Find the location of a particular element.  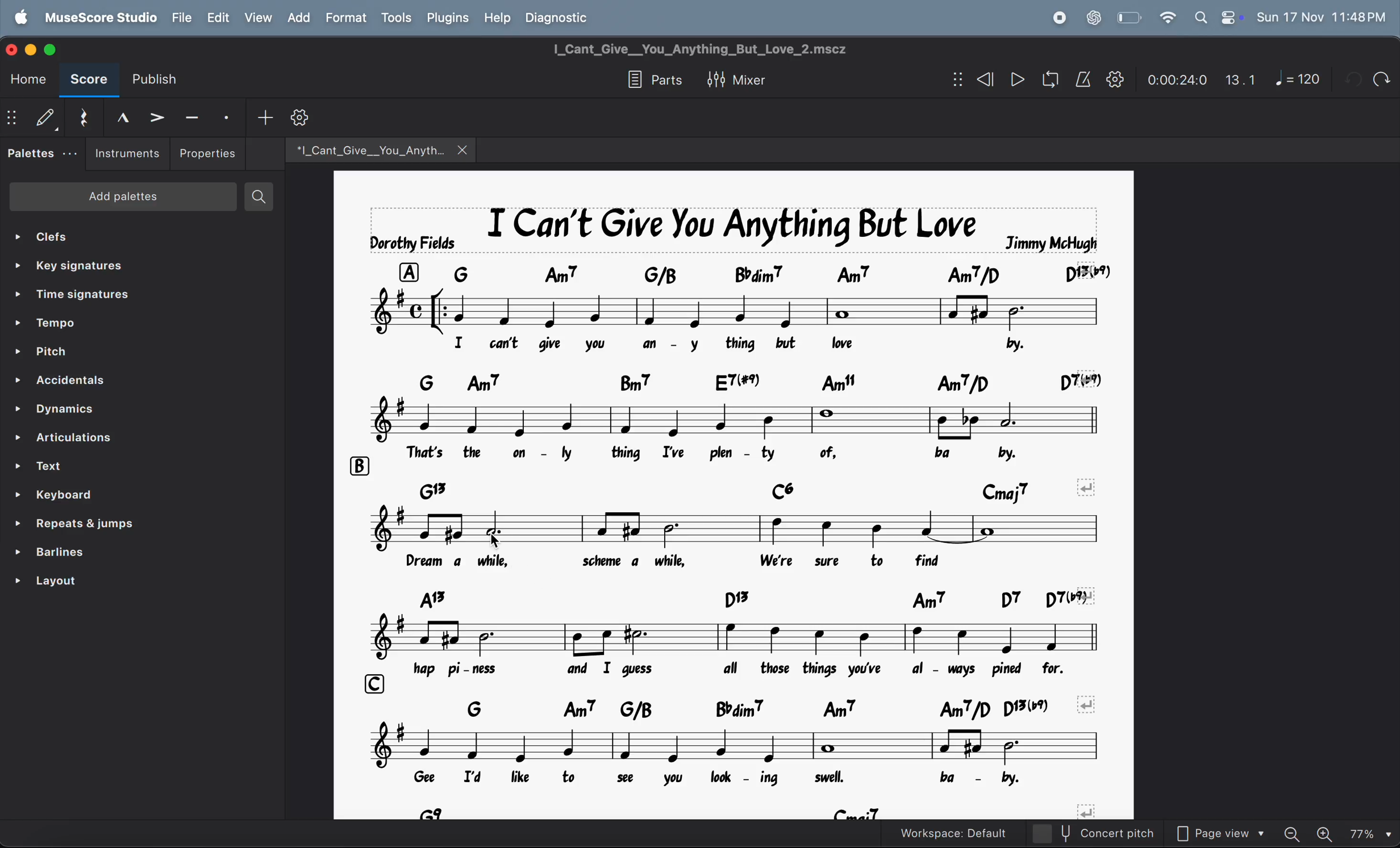

dynamics is located at coordinates (123, 412).